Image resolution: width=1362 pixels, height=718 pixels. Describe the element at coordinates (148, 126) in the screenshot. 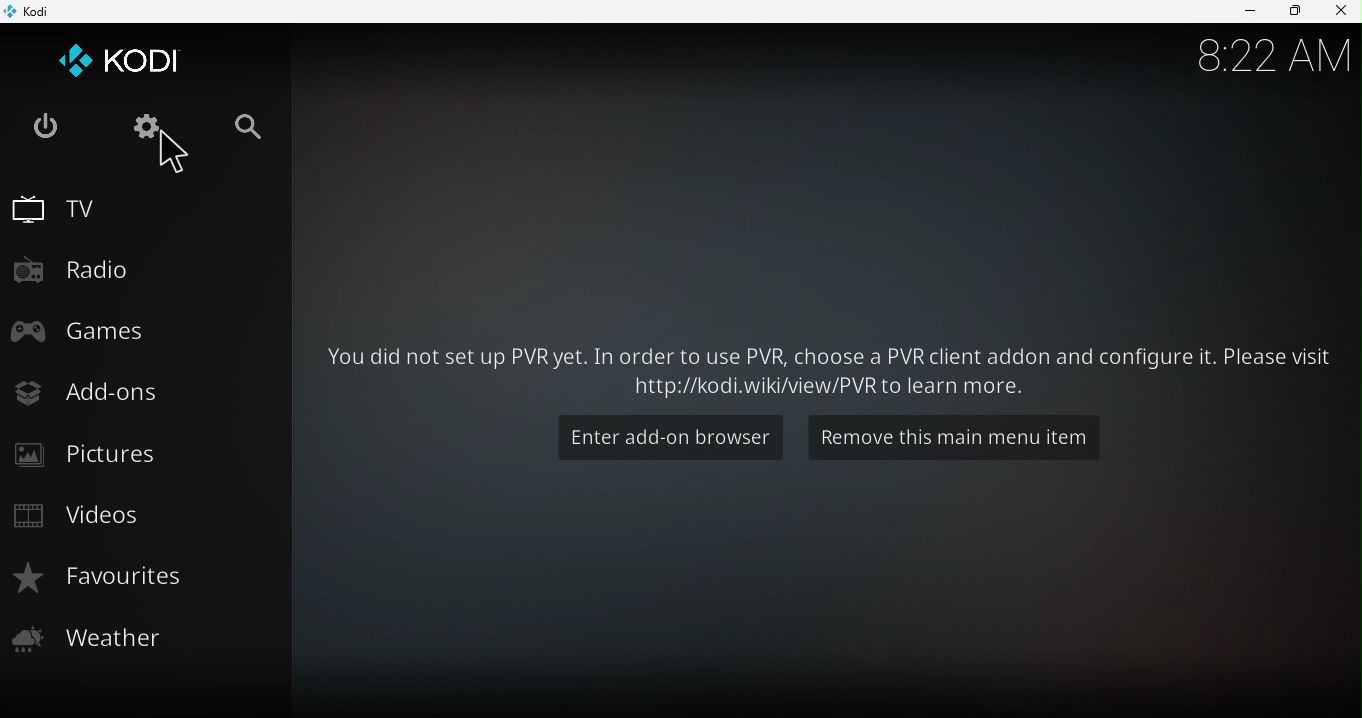

I see `Settings` at that location.